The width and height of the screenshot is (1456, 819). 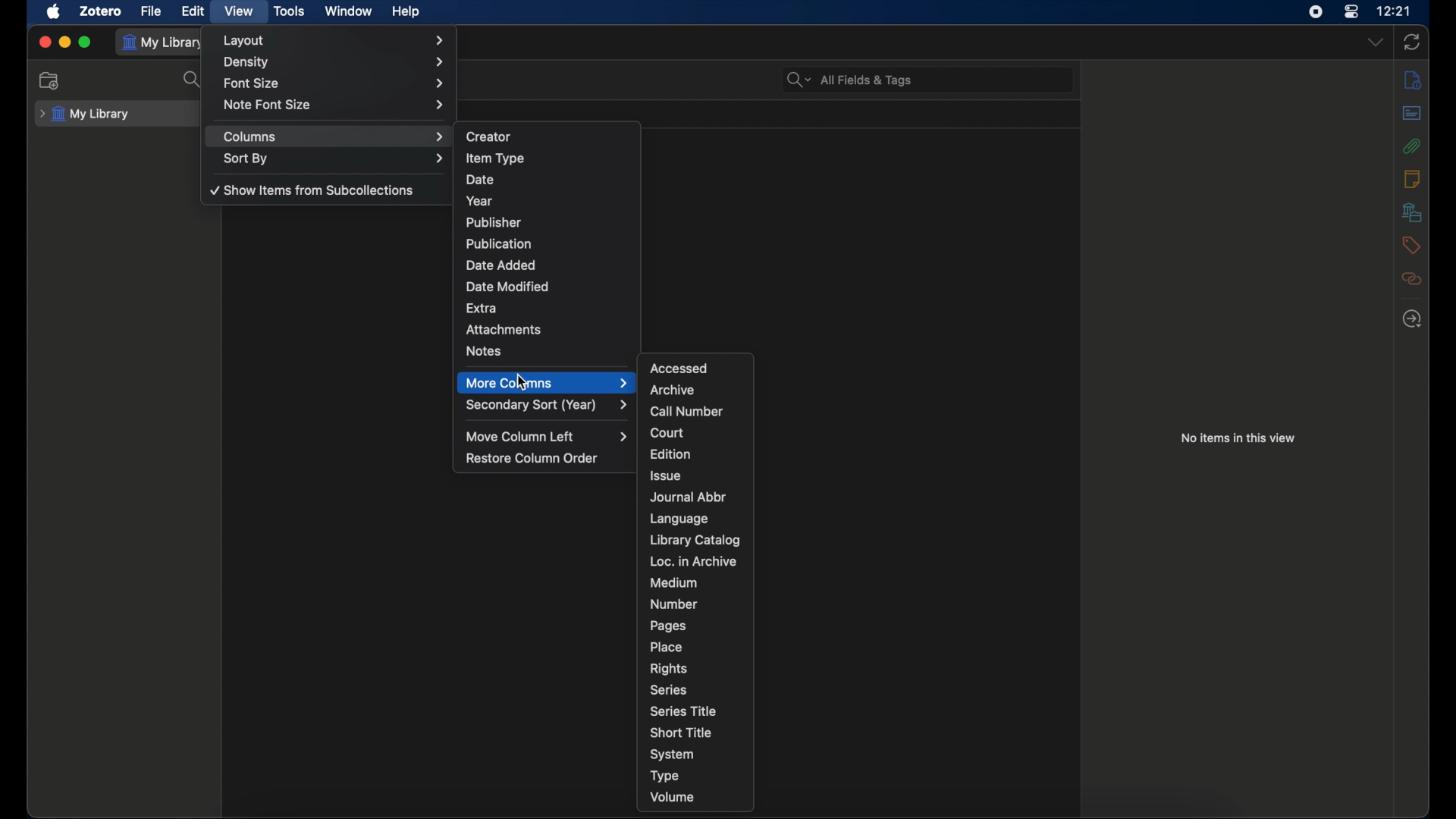 What do you see at coordinates (86, 42) in the screenshot?
I see `maximize` at bounding box center [86, 42].